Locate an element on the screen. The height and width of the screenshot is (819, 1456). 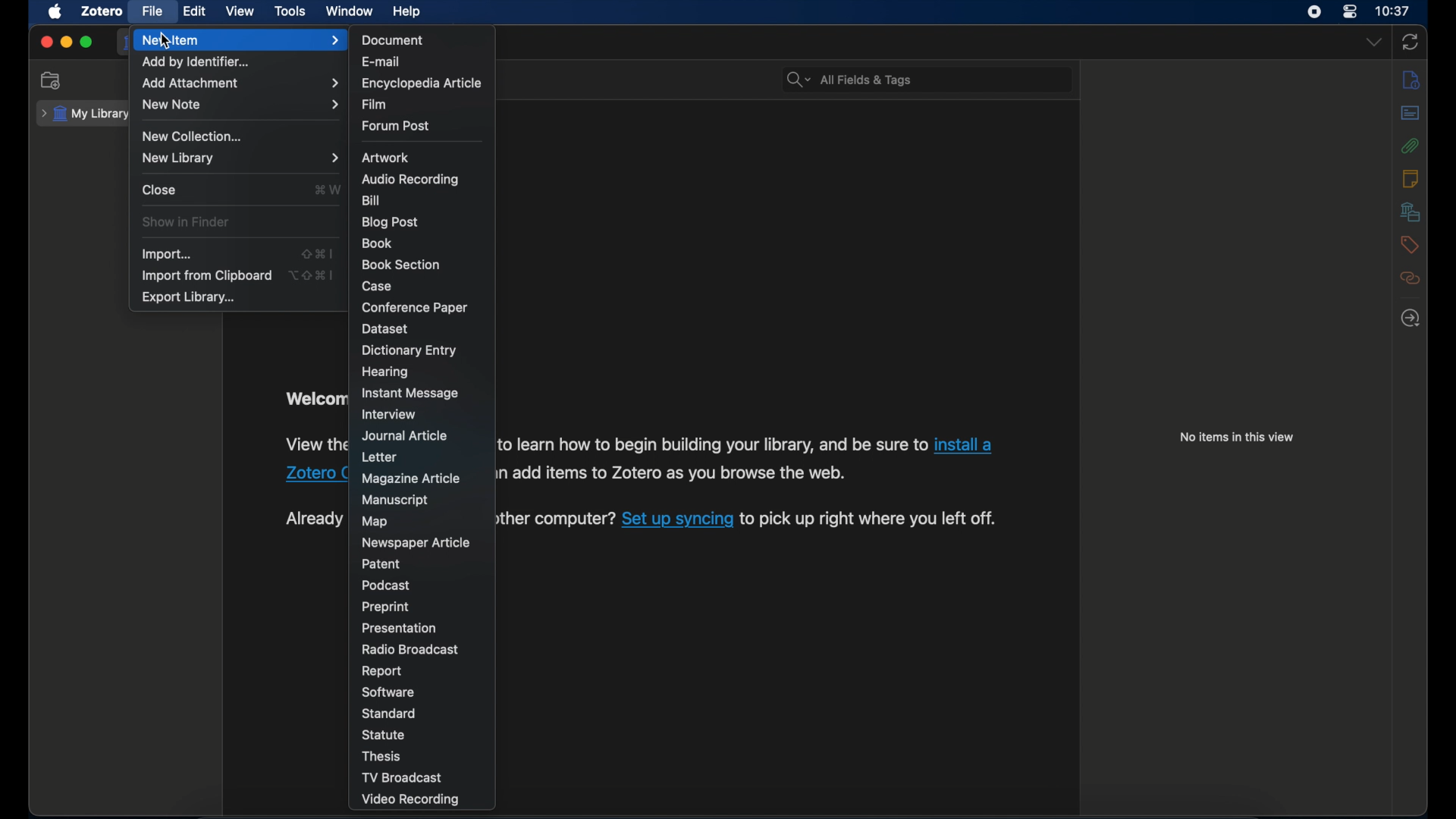
tv broadcast is located at coordinates (405, 777).